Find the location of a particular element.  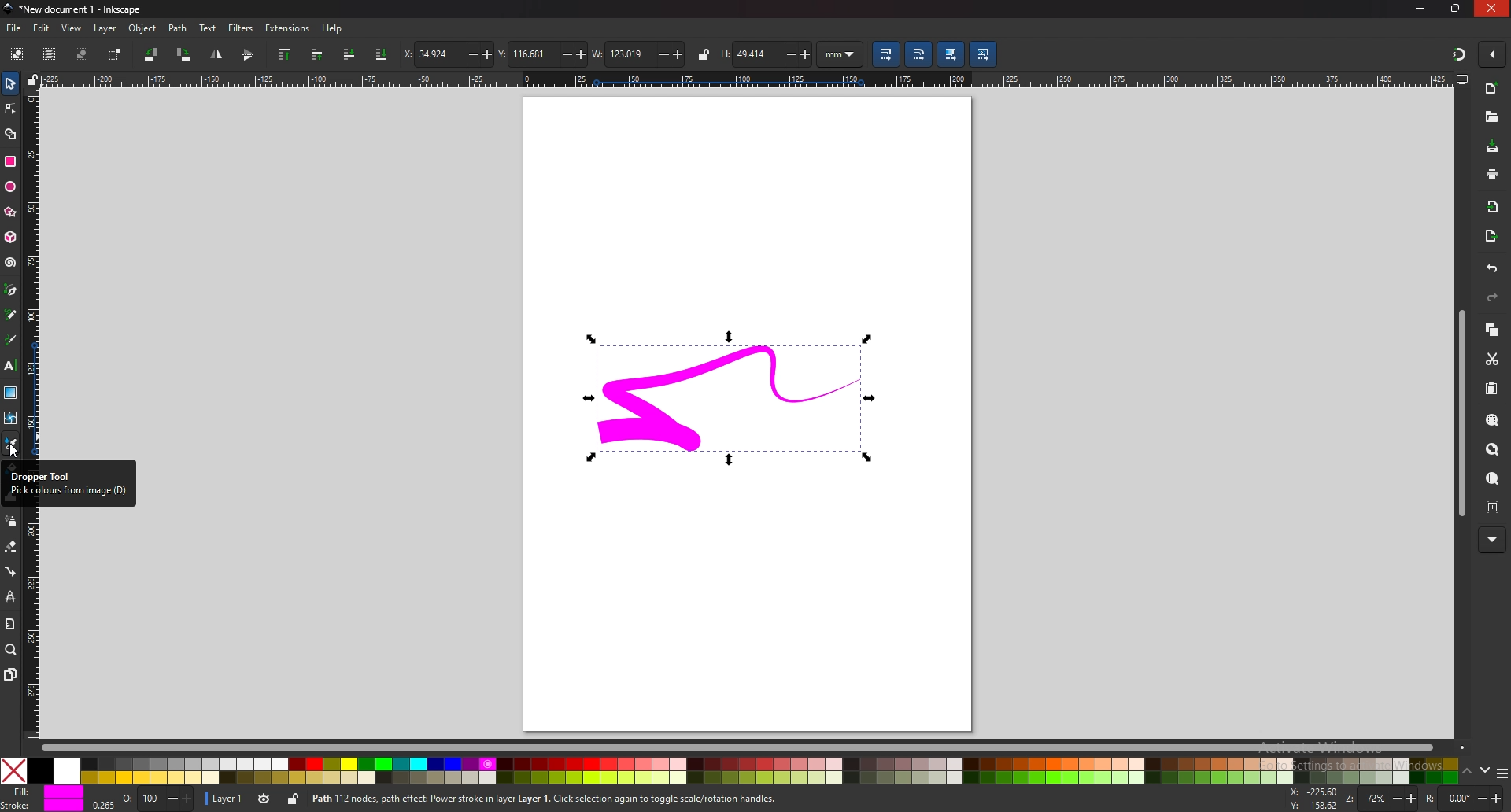

color picker is located at coordinates (14, 445).